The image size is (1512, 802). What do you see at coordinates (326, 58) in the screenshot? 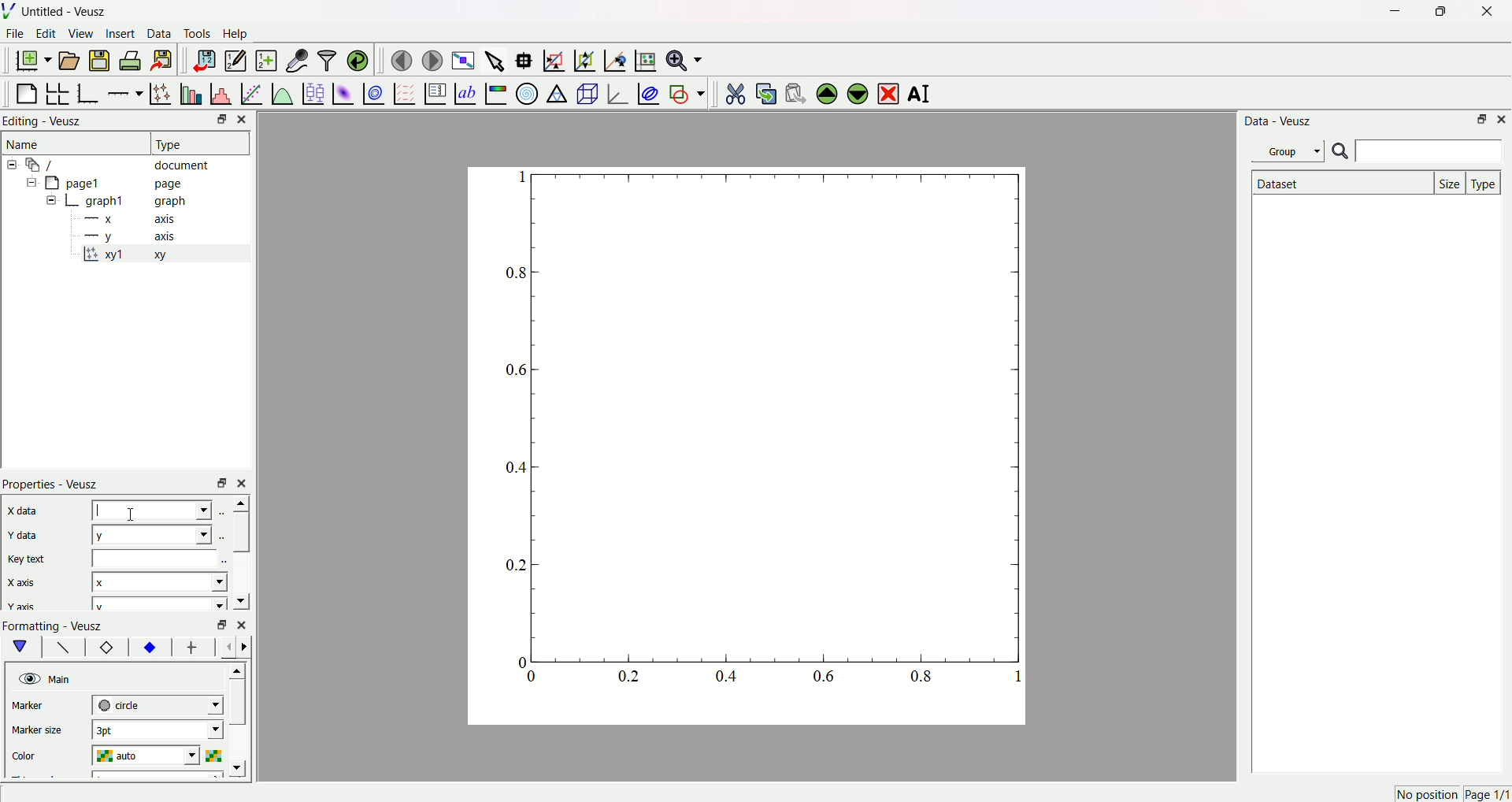
I see `filter data` at bounding box center [326, 58].